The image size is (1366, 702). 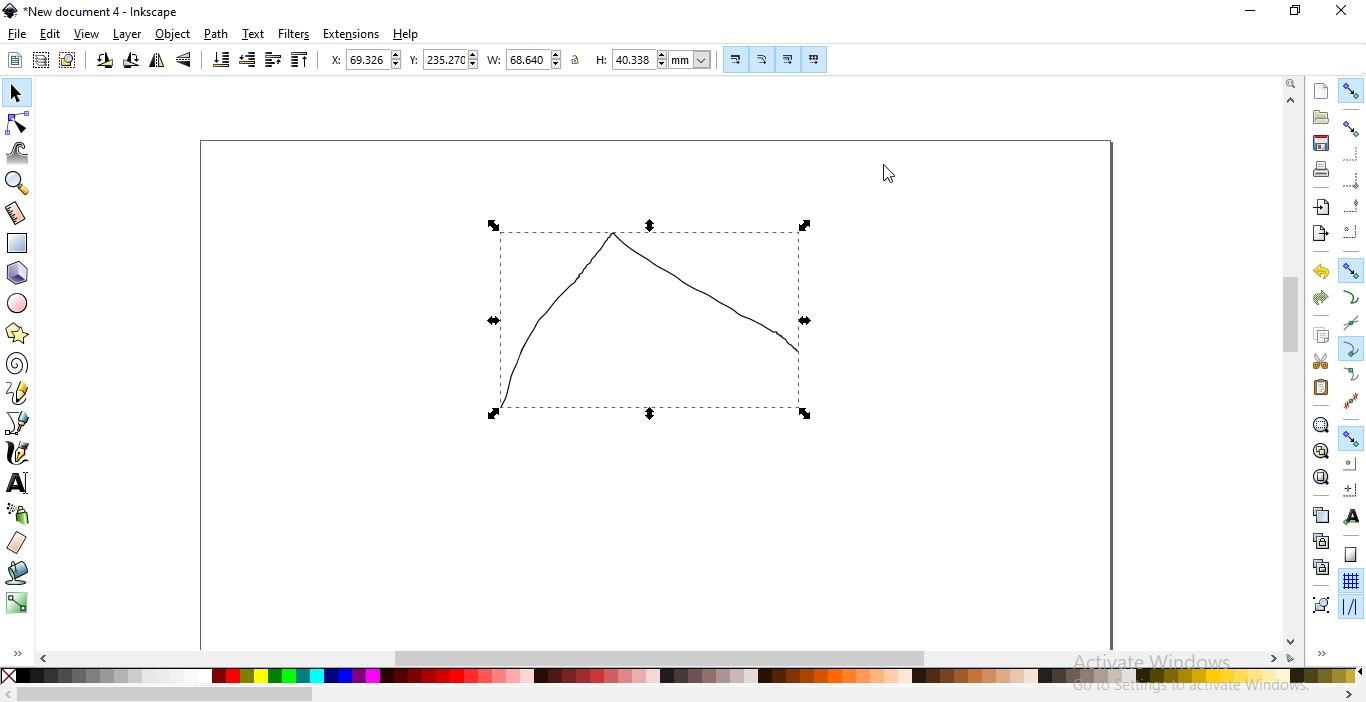 What do you see at coordinates (17, 335) in the screenshot?
I see `create stars and polygons` at bounding box center [17, 335].